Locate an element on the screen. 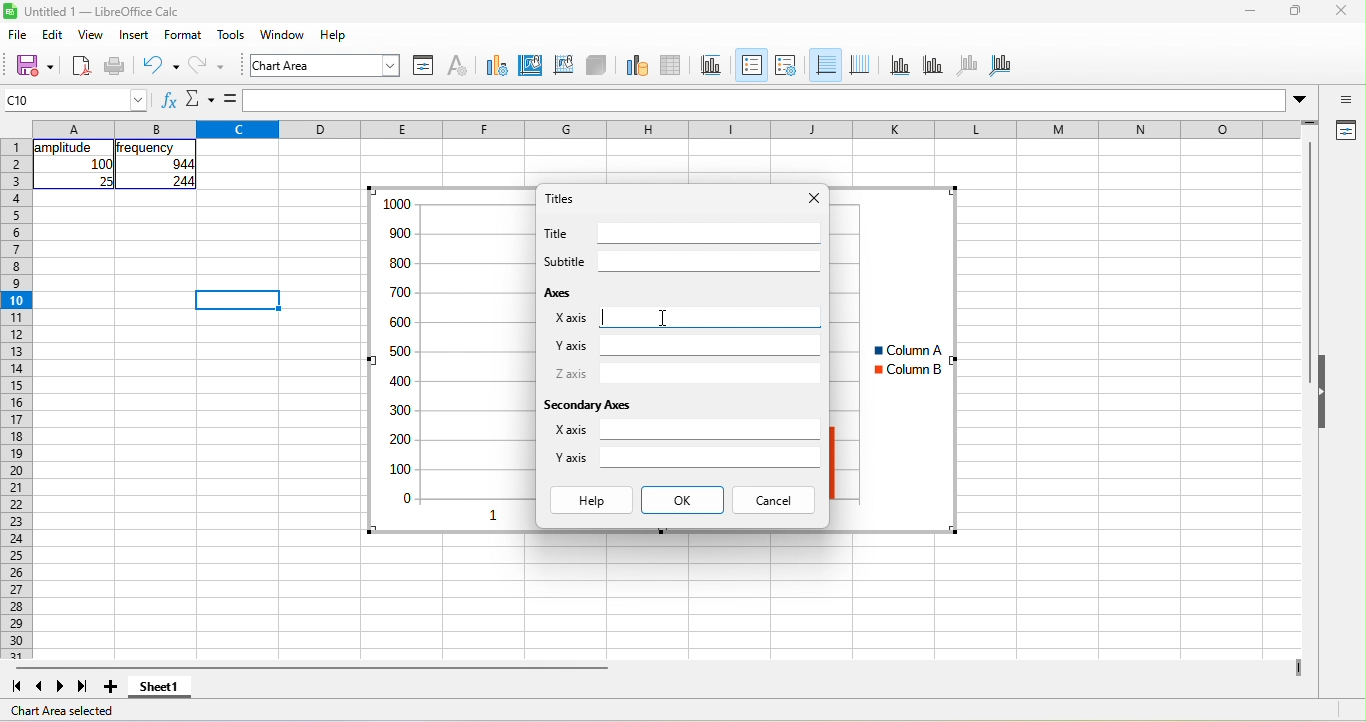  Title is located at coordinates (555, 233).